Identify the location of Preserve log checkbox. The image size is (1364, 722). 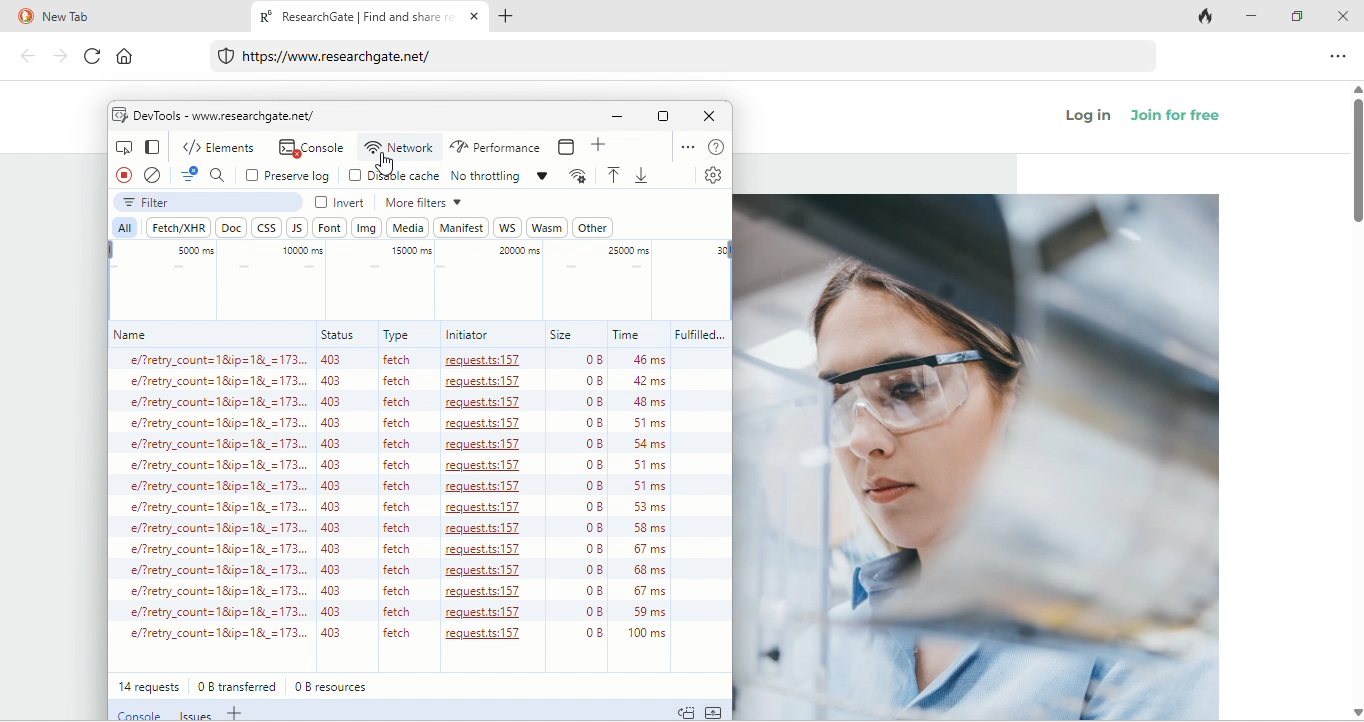
(287, 175).